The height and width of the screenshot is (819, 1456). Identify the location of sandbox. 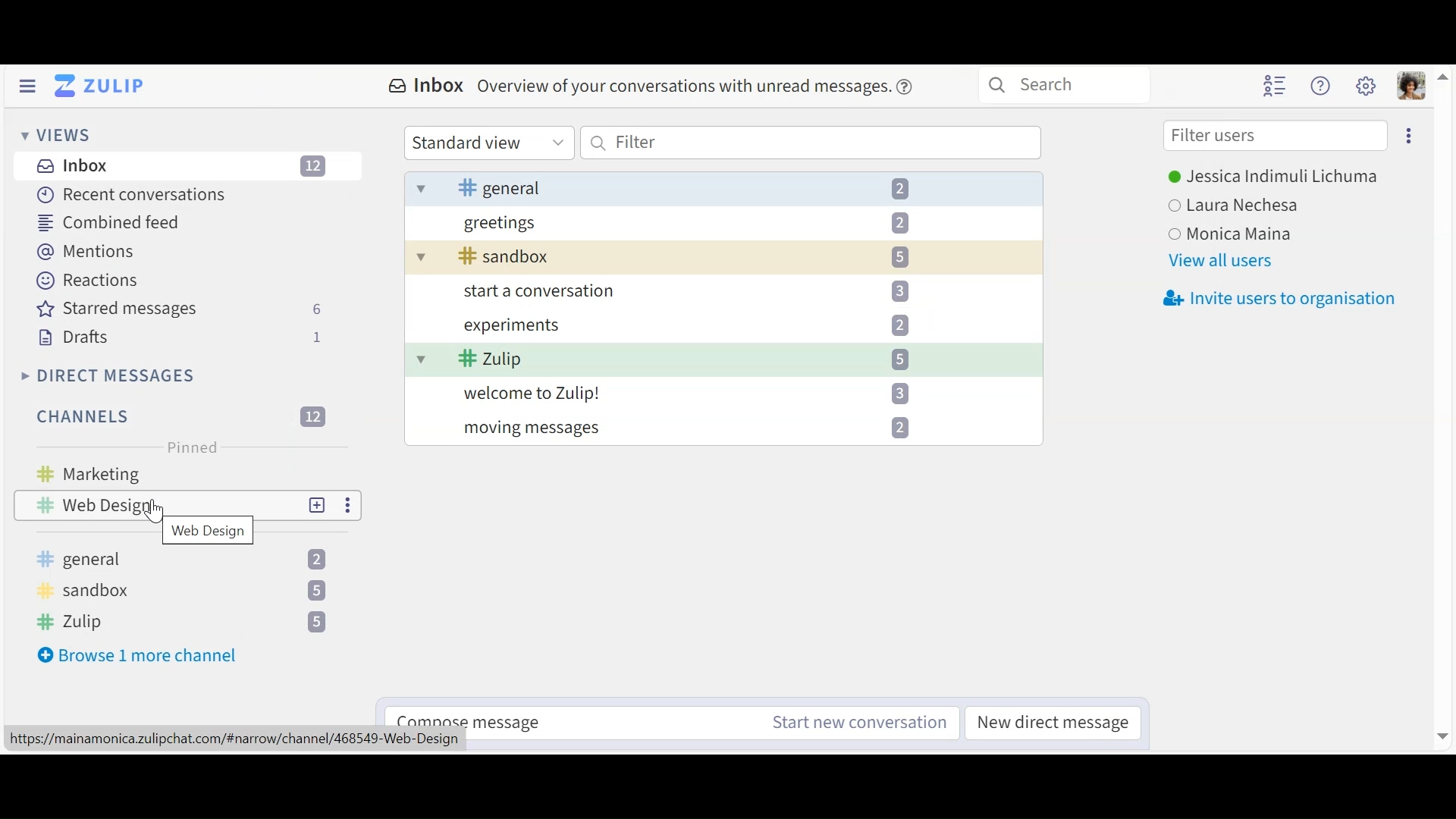
(197, 588).